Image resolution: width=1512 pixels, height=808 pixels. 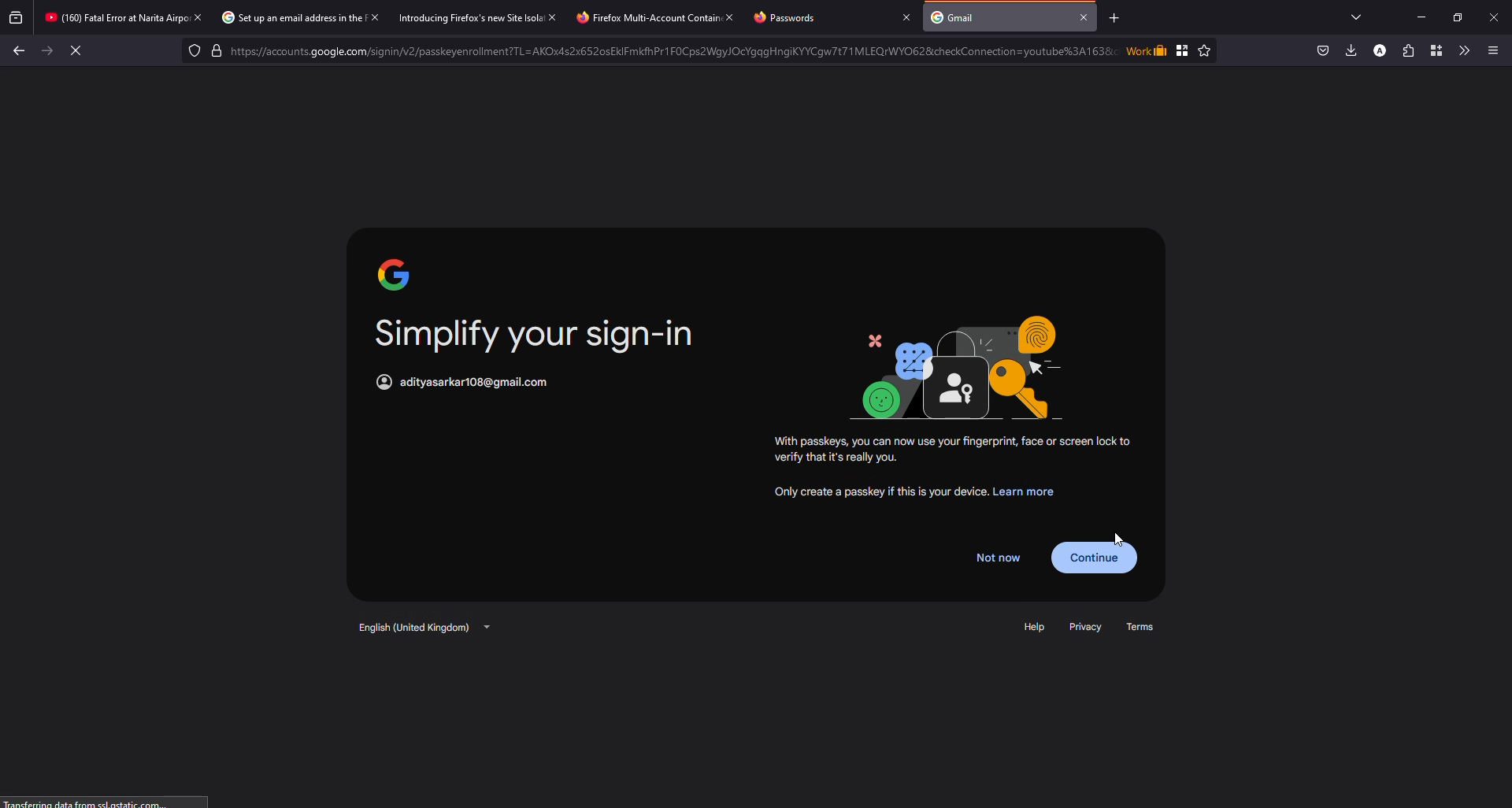 I want to click on Back, so click(x=21, y=52).